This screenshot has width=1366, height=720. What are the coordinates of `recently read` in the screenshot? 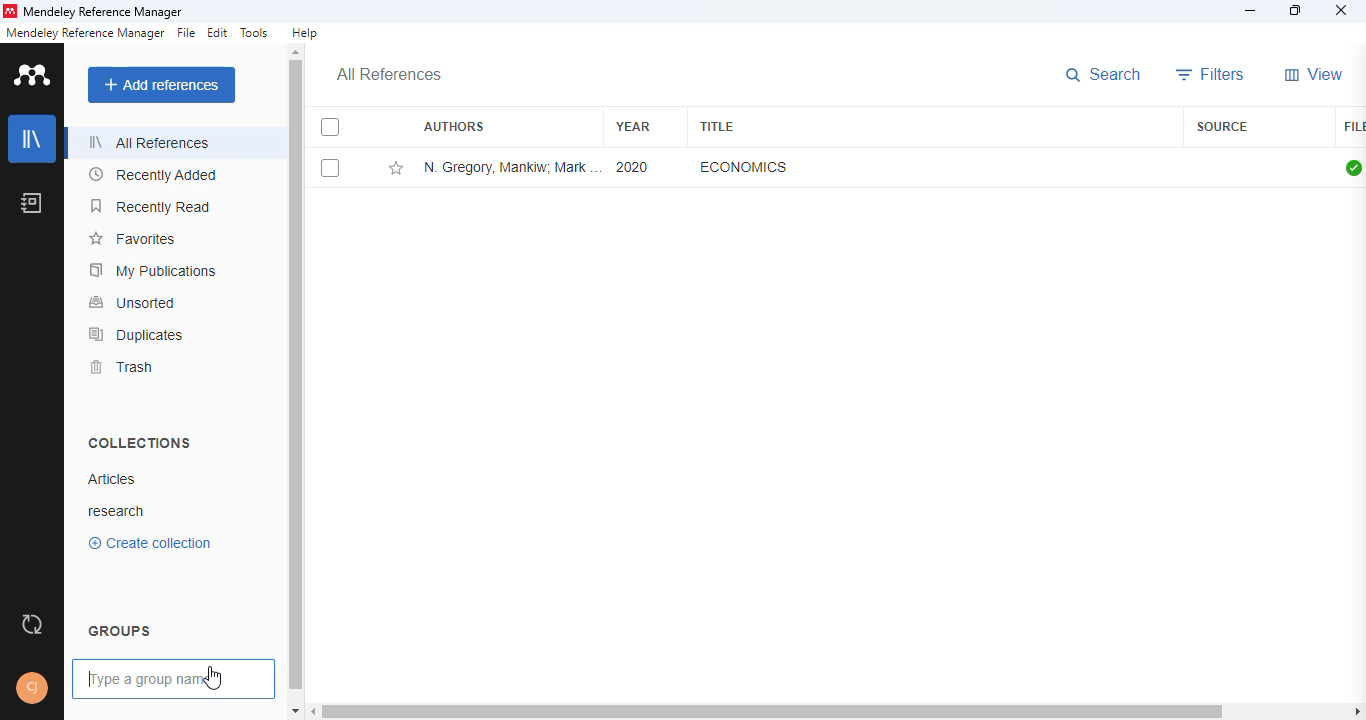 It's located at (151, 206).